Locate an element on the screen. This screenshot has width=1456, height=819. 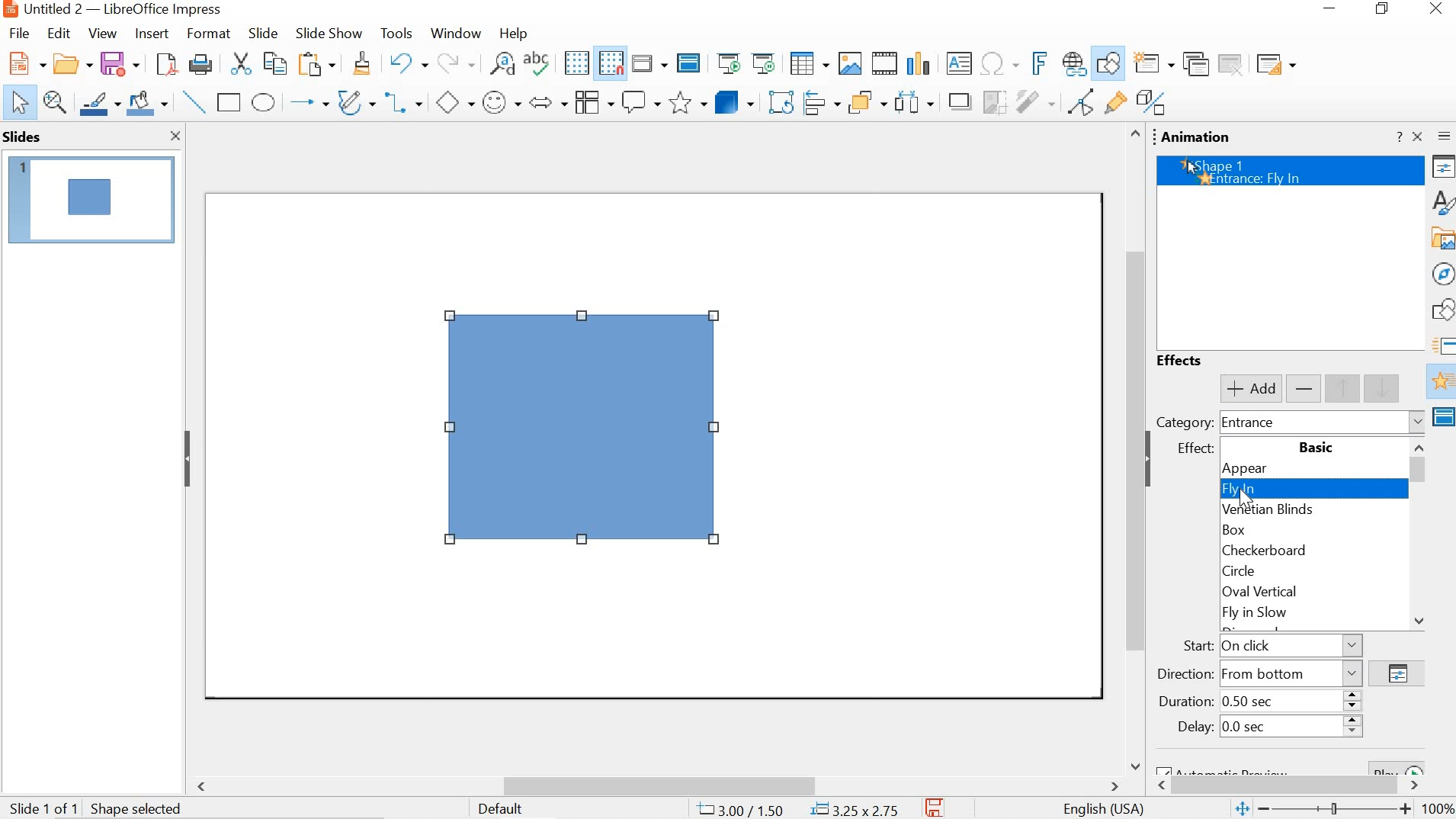
3.25x2.75 is located at coordinates (855, 808).